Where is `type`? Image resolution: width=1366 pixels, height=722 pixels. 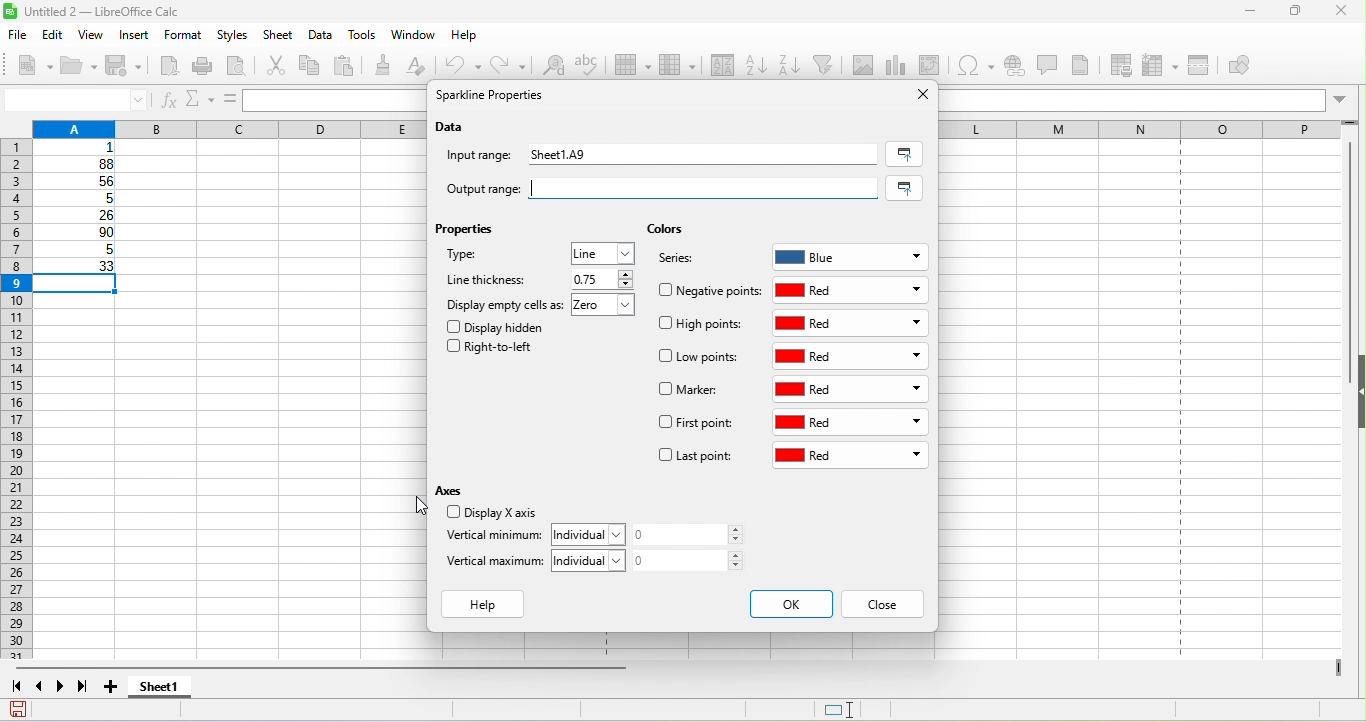 type is located at coordinates (486, 258).